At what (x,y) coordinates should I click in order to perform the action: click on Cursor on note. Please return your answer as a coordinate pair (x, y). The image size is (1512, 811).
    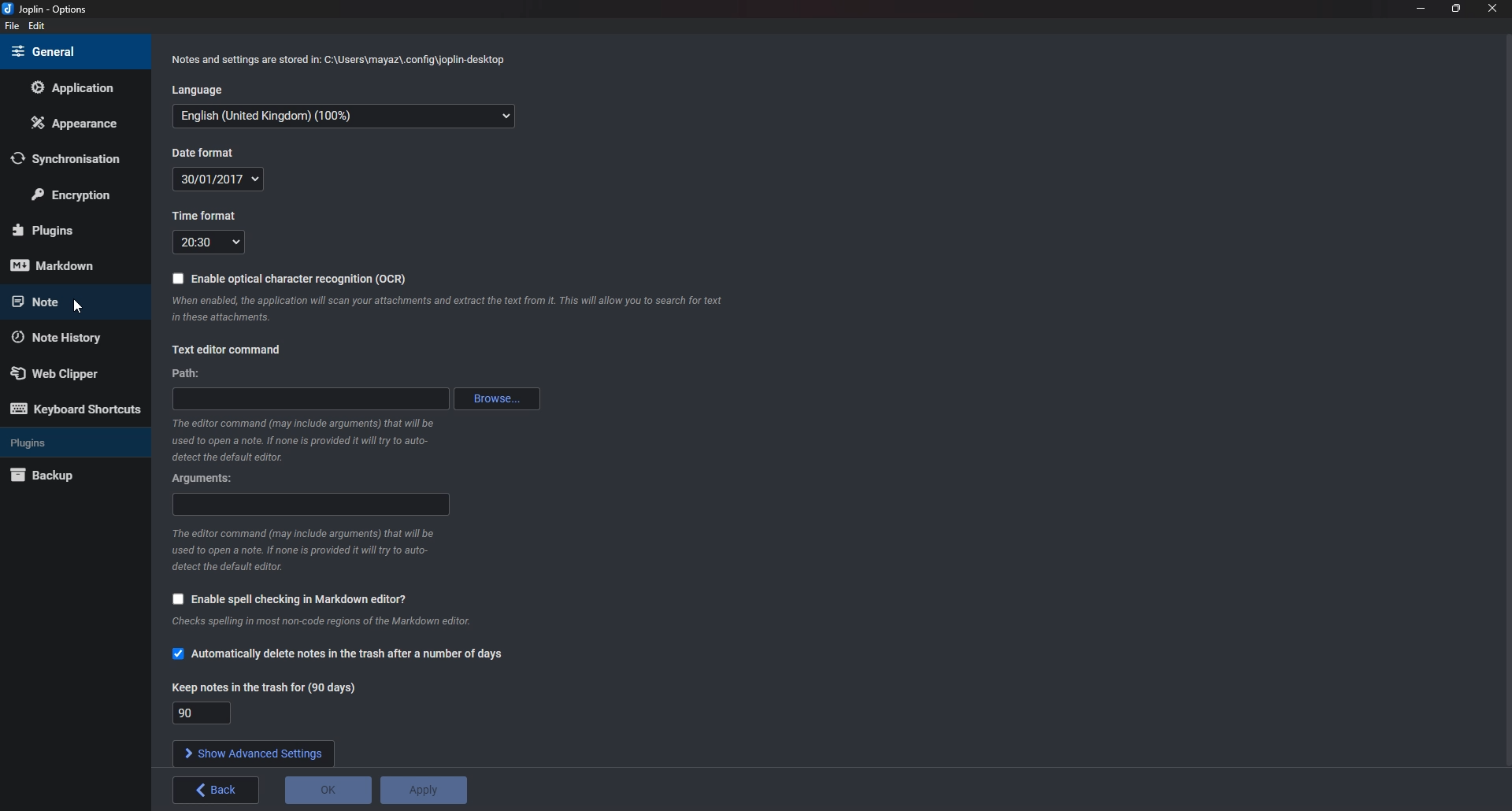
    Looking at the image, I should click on (65, 302).